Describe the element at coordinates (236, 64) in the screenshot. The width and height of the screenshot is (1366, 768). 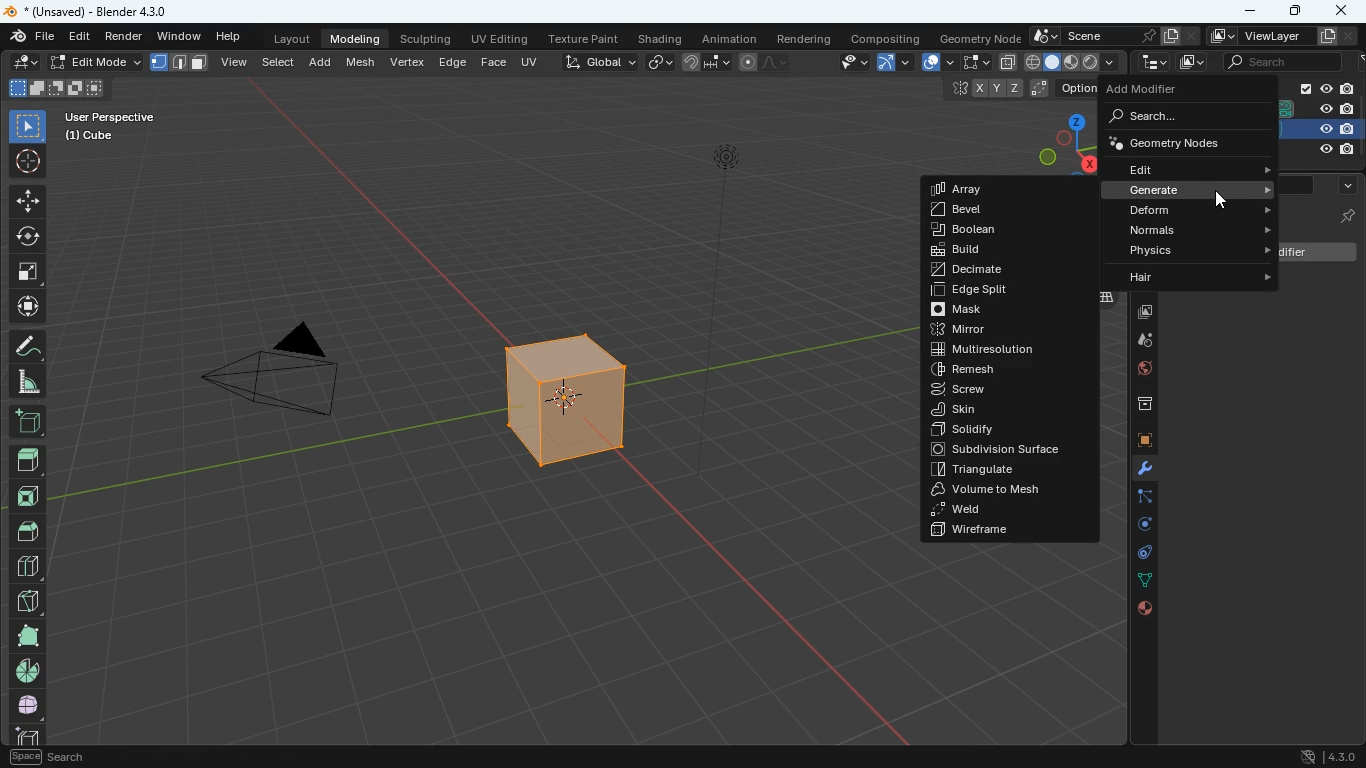
I see `view` at that location.